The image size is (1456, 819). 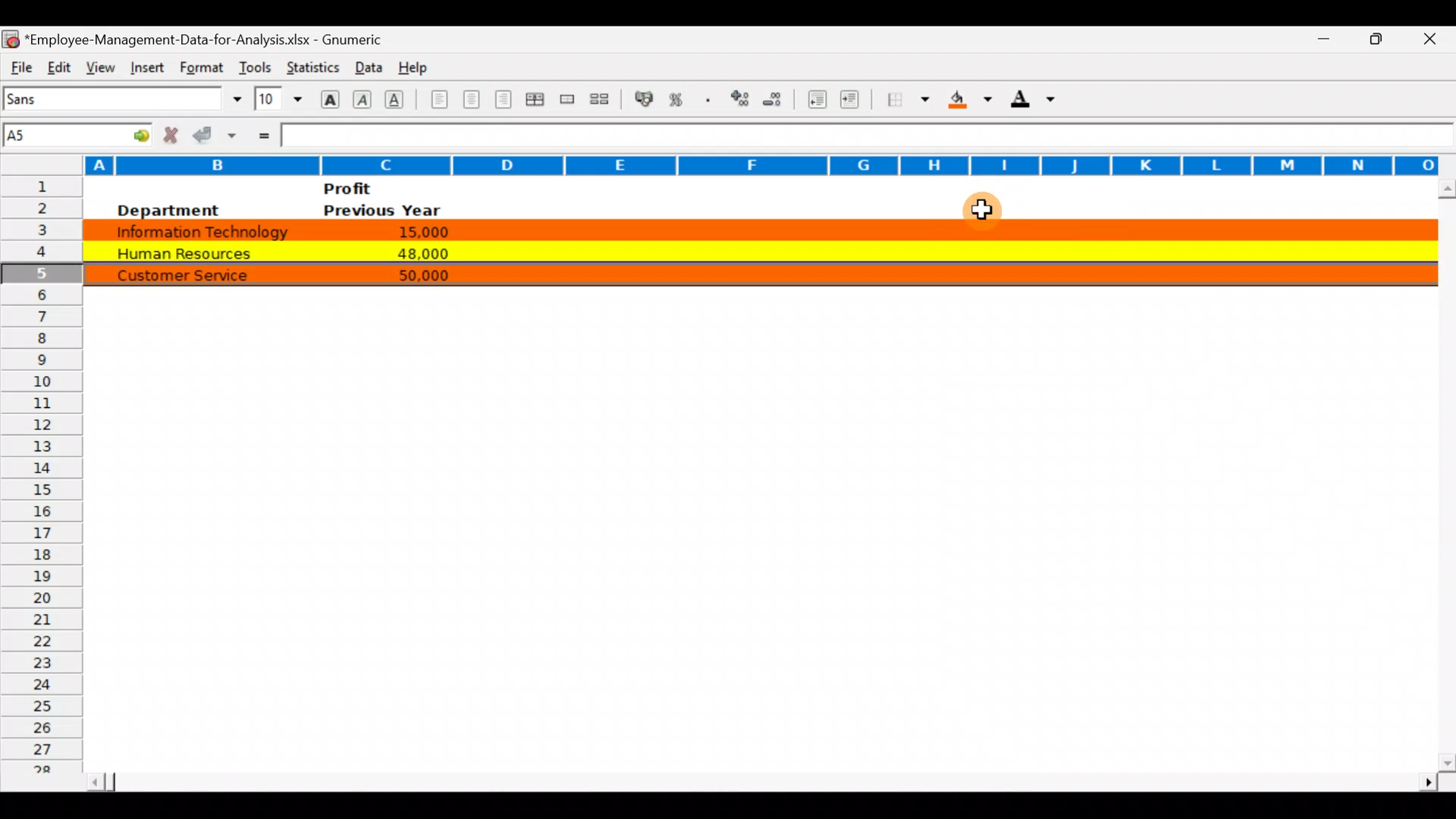 I want to click on View, so click(x=97, y=65).